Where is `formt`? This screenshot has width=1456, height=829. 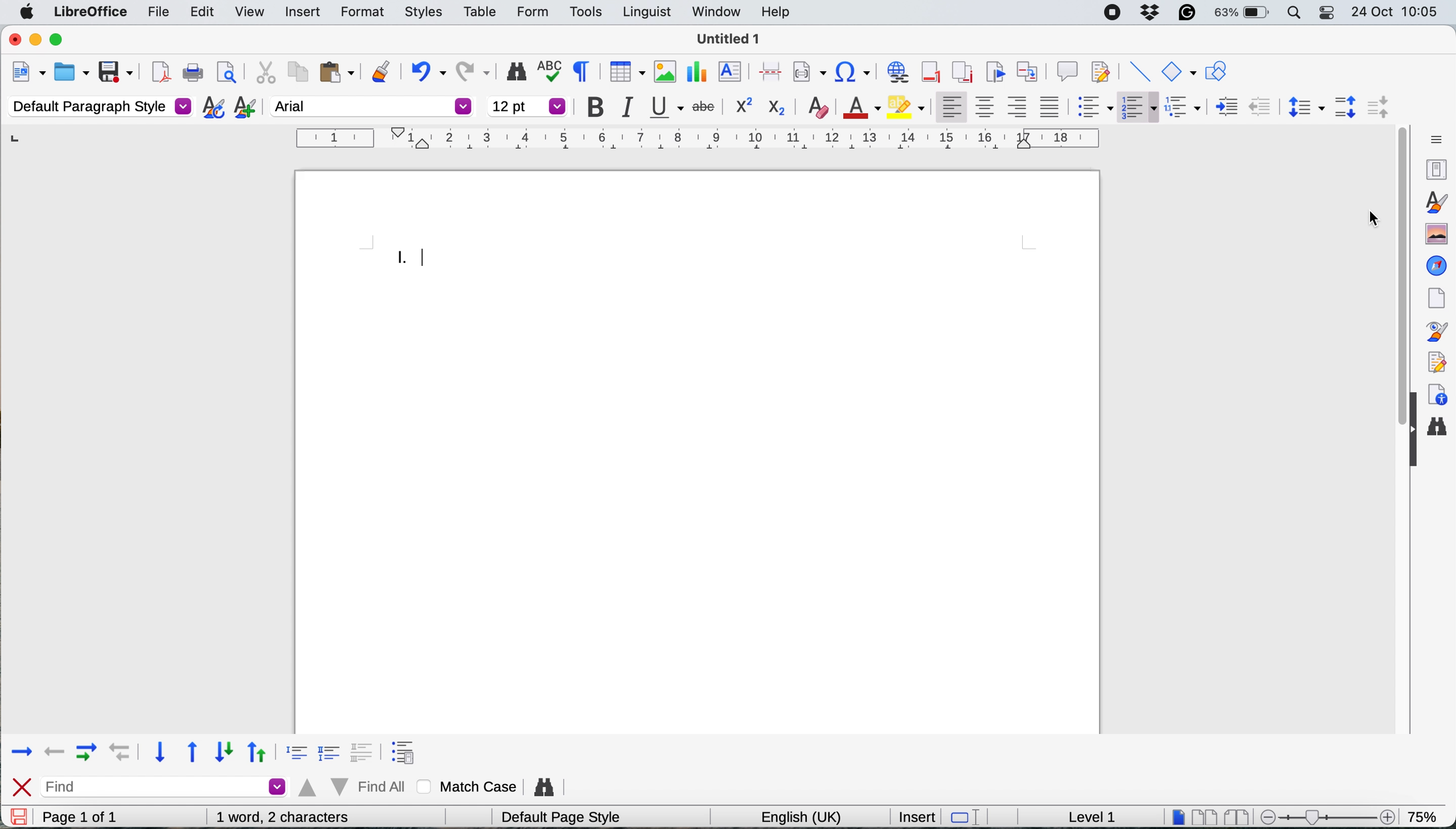
formt is located at coordinates (360, 13).